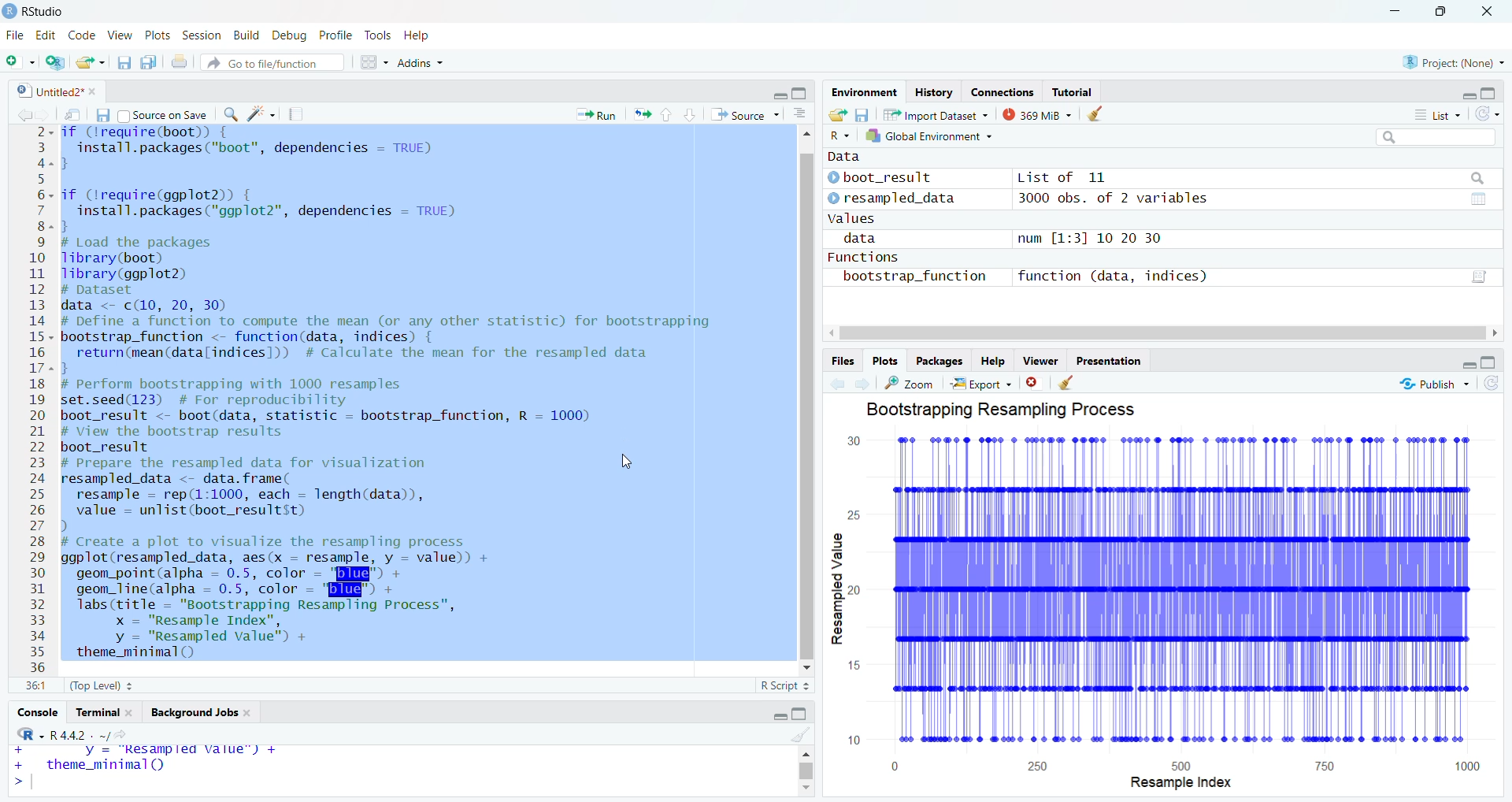 Image resolution: width=1512 pixels, height=802 pixels. What do you see at coordinates (149, 60) in the screenshot?
I see `save all open documents` at bounding box center [149, 60].